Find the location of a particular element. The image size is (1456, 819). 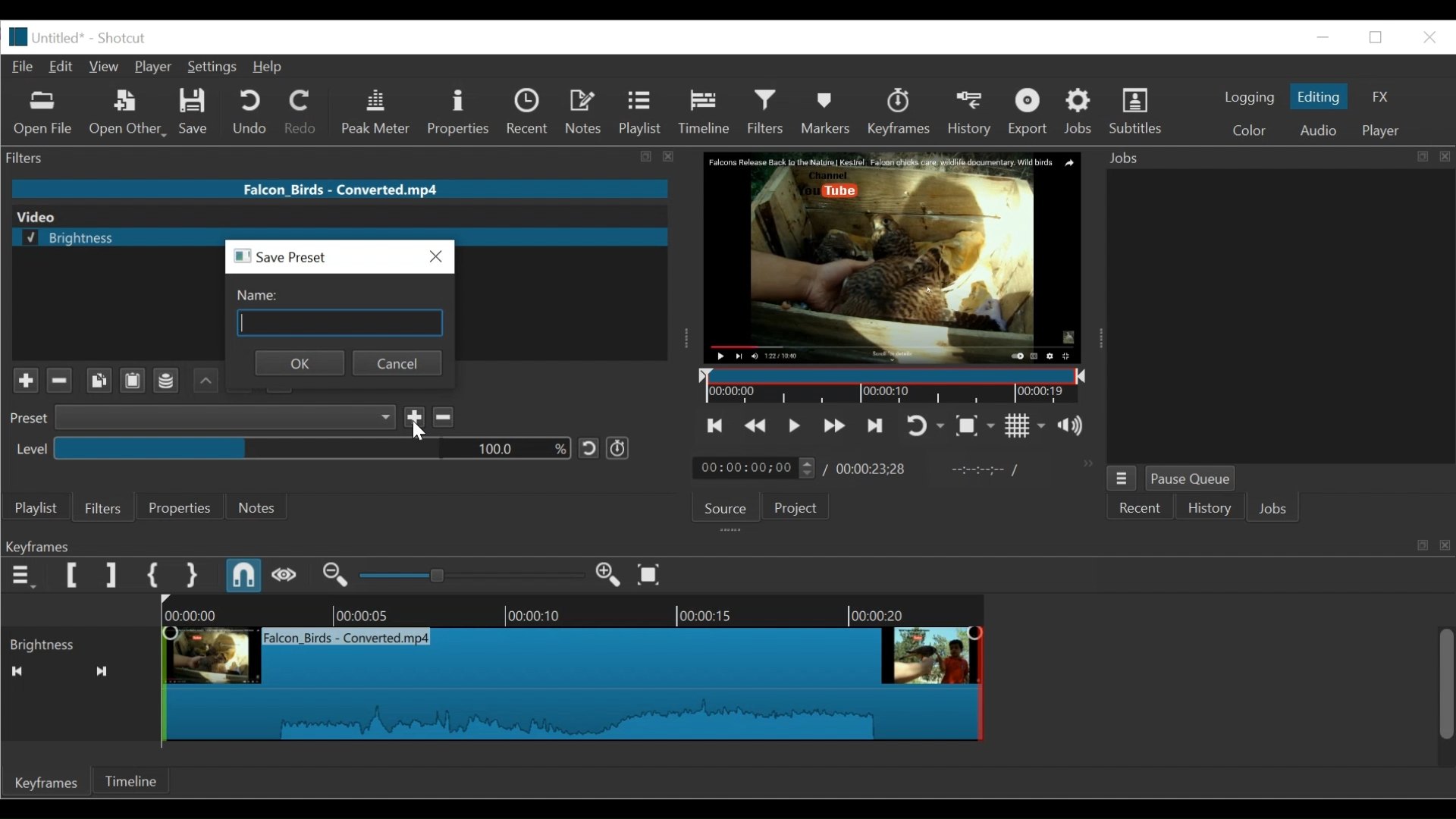

Play forward quickly is located at coordinates (831, 426).